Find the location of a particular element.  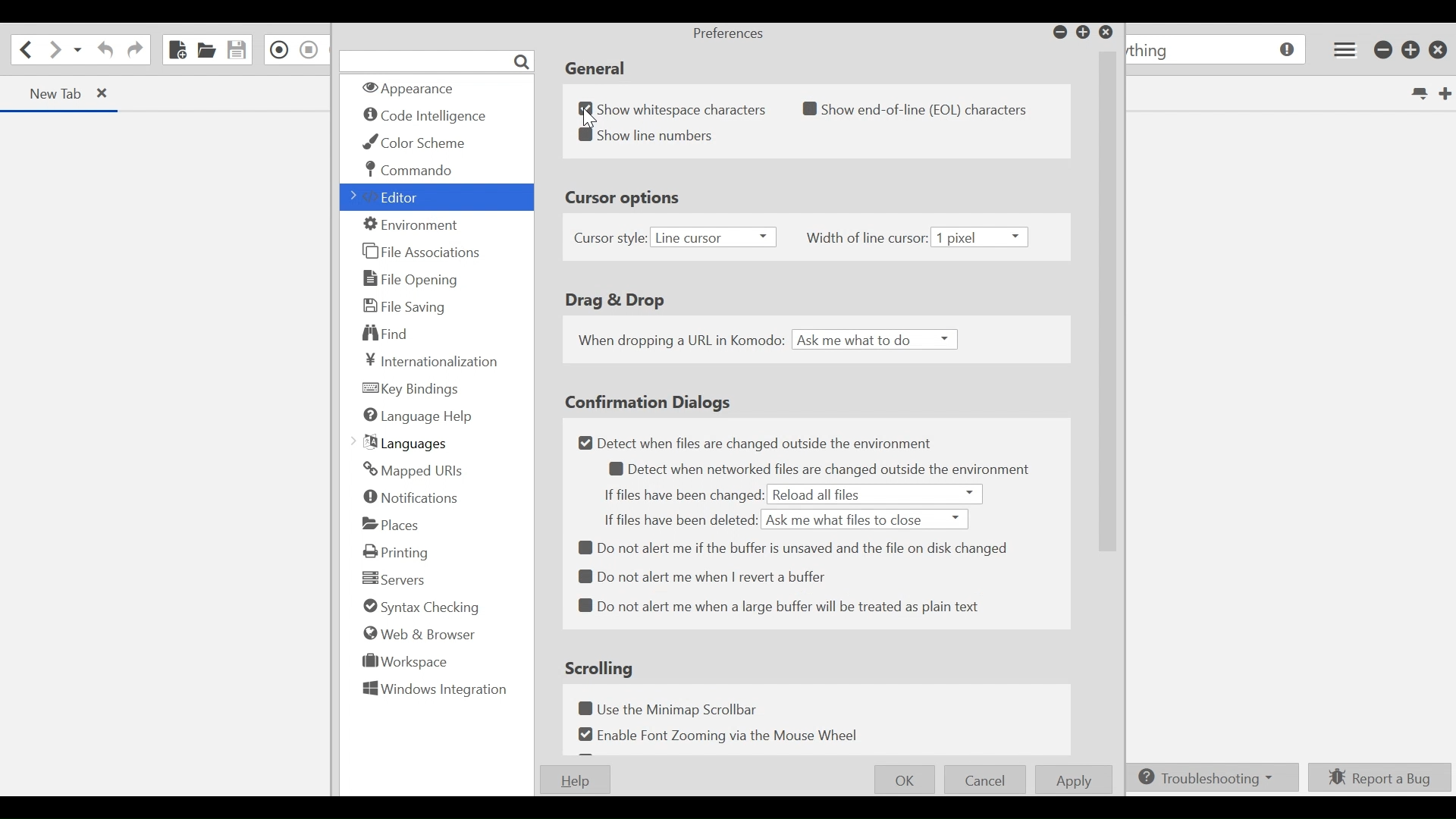

When dropping a URL in Komodo: is located at coordinates (679, 340).